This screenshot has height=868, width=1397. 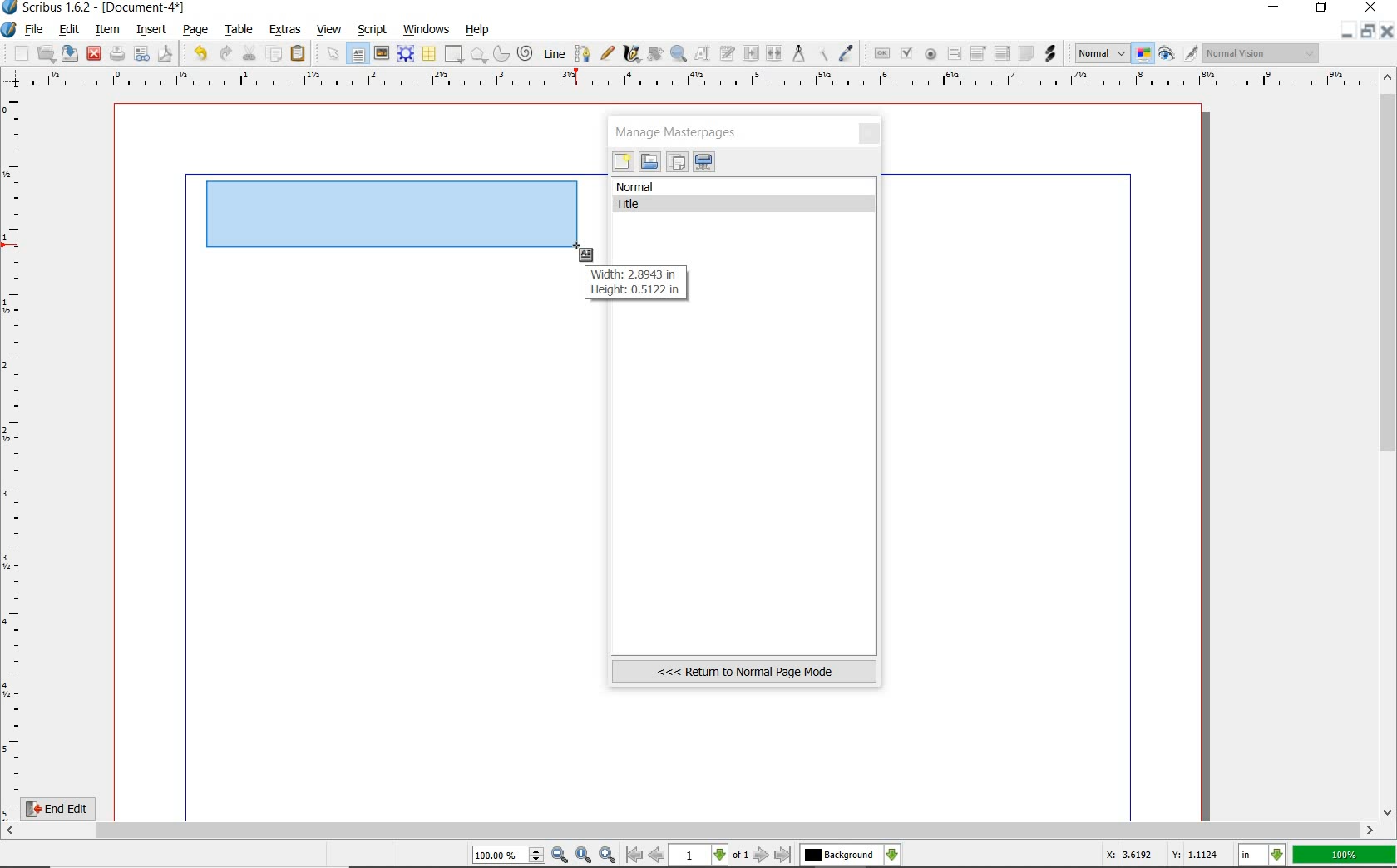 I want to click on unlink text frames, so click(x=775, y=54).